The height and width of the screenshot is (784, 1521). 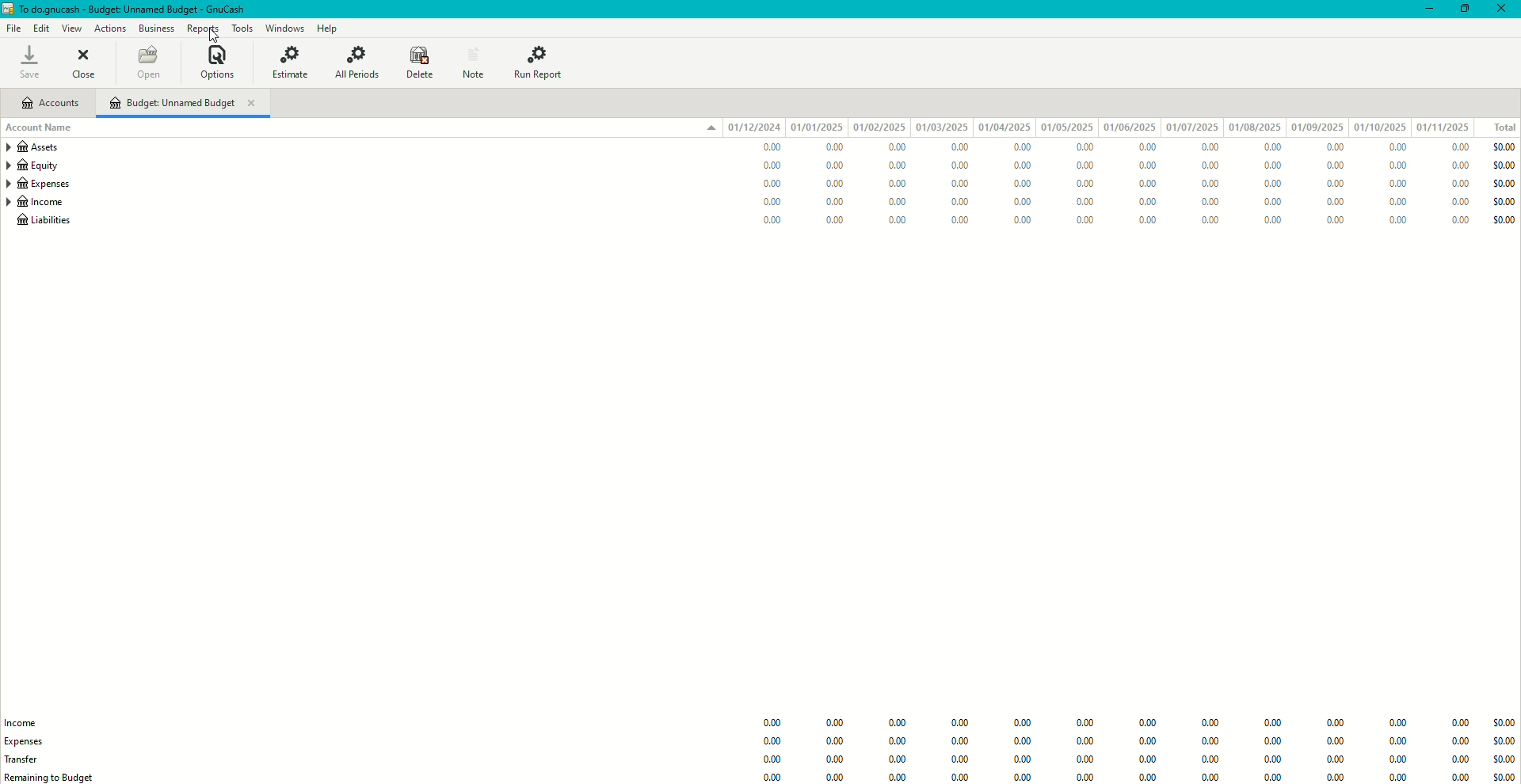 I want to click on 0.00, so click(x=767, y=166).